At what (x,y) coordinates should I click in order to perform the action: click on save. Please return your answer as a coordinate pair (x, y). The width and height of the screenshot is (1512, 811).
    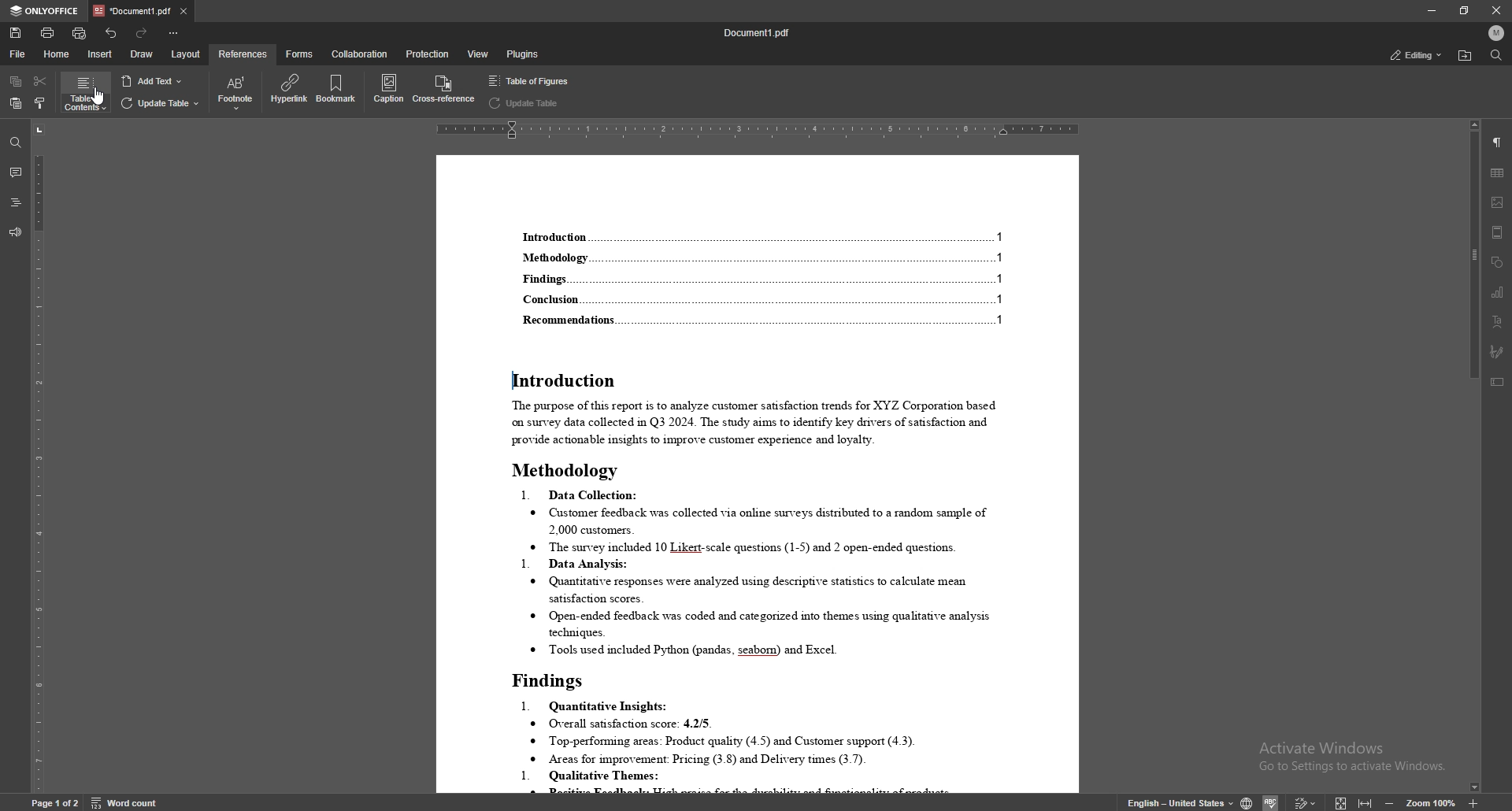
    Looking at the image, I should click on (16, 33).